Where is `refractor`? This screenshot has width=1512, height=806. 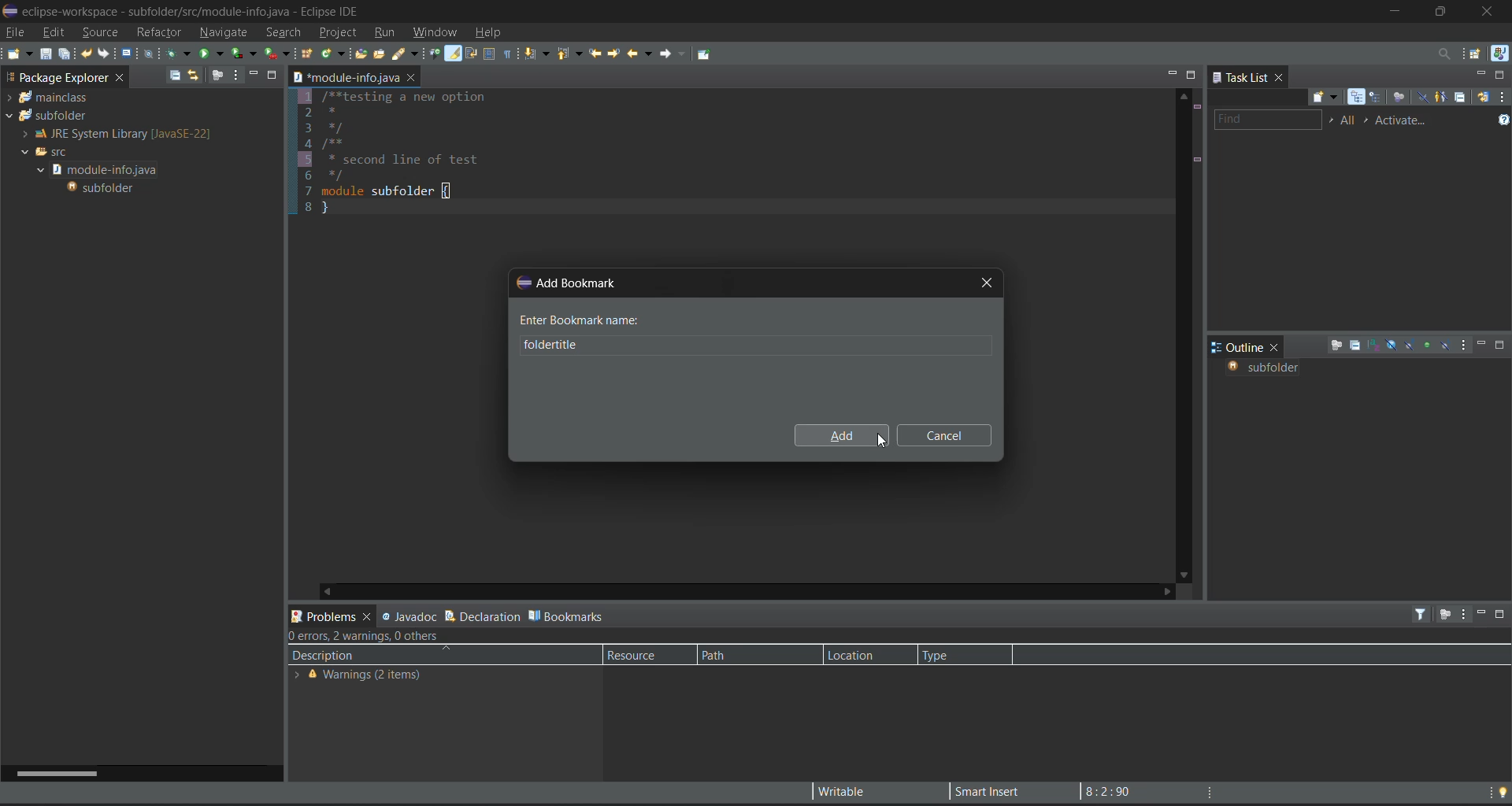 refractor is located at coordinates (159, 32).